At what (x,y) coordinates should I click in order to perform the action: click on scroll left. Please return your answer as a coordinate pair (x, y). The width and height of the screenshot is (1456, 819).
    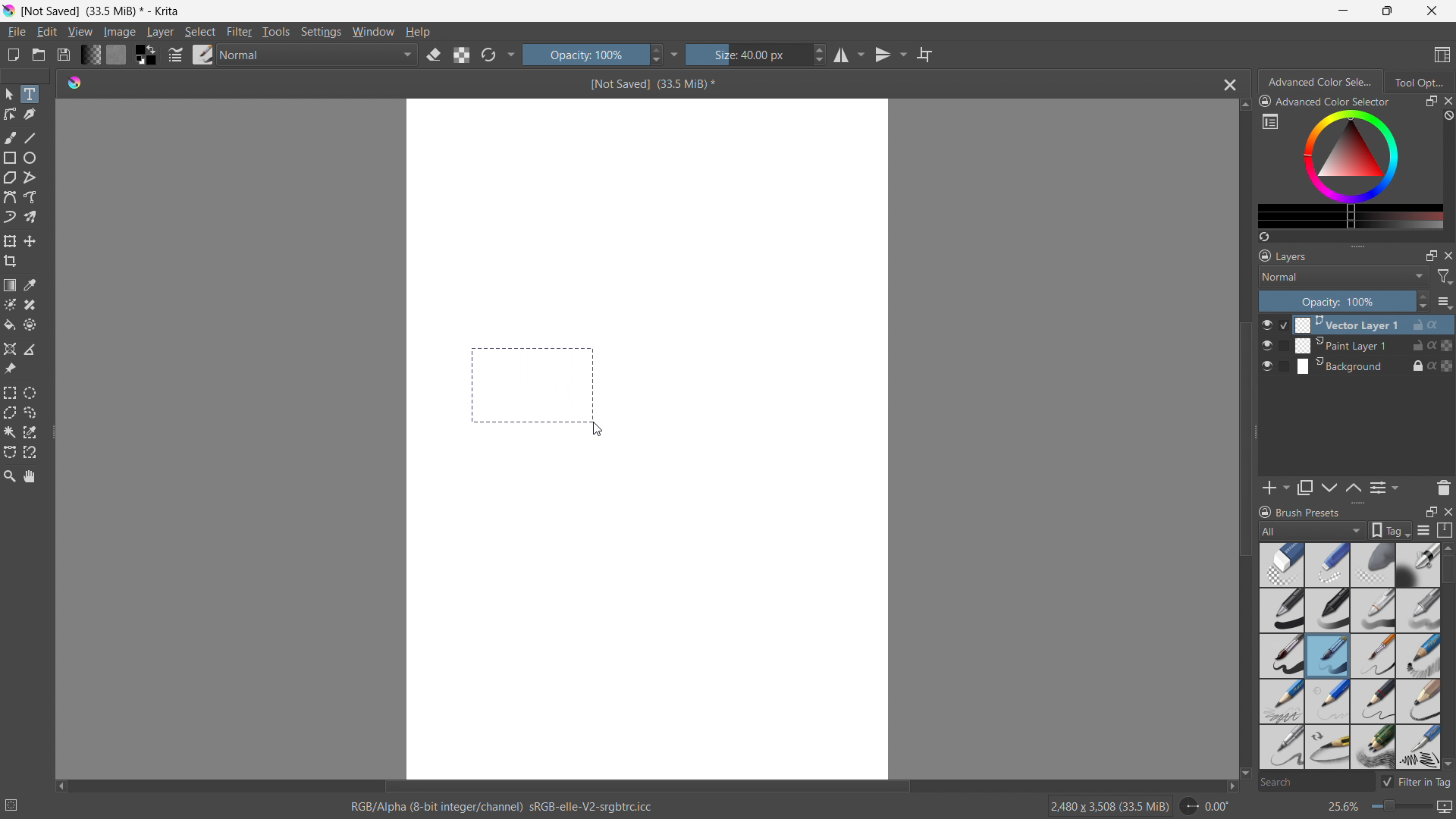
    Looking at the image, I should click on (61, 783).